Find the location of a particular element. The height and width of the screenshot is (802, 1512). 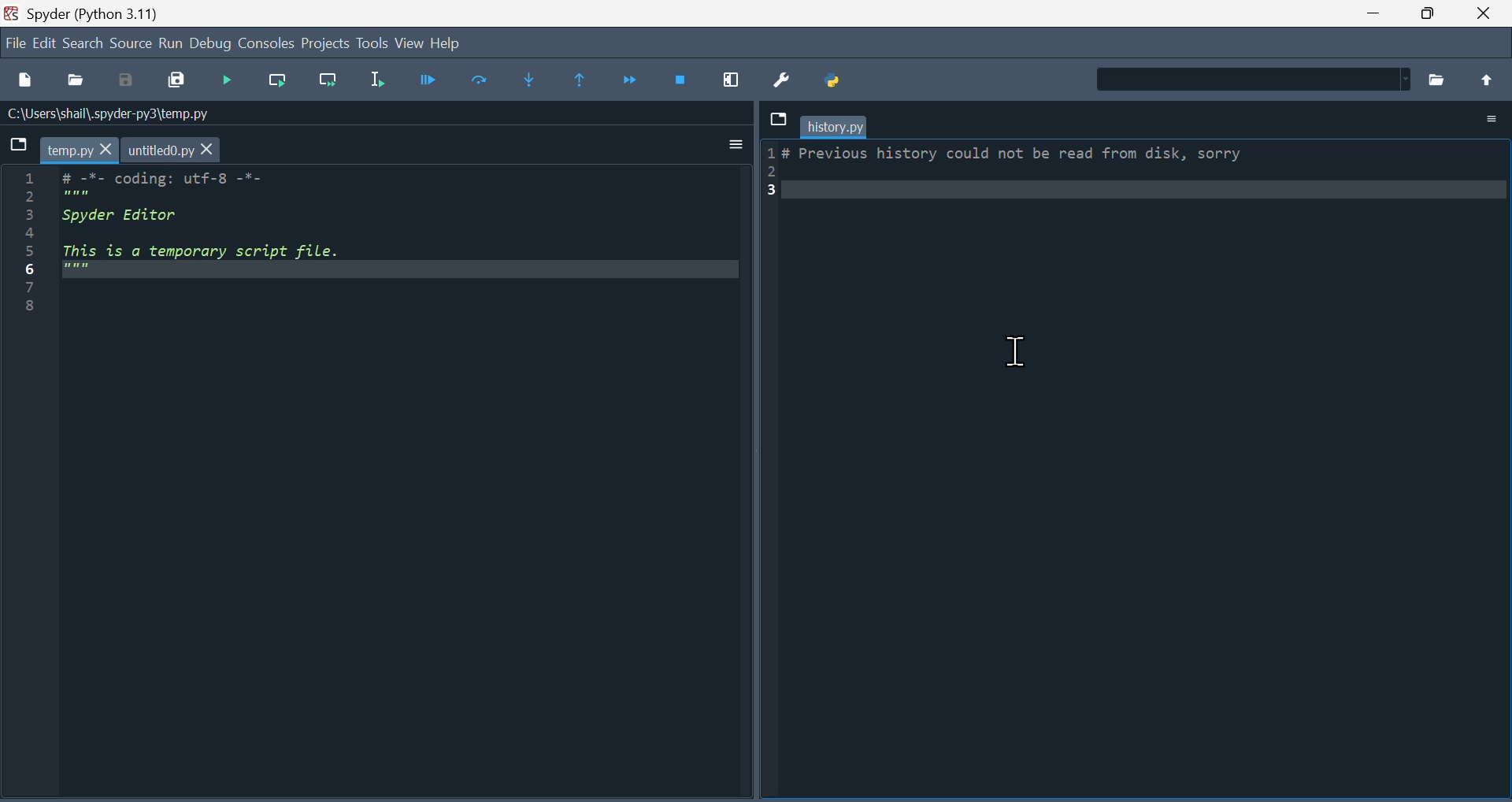

New file is located at coordinates (28, 81).